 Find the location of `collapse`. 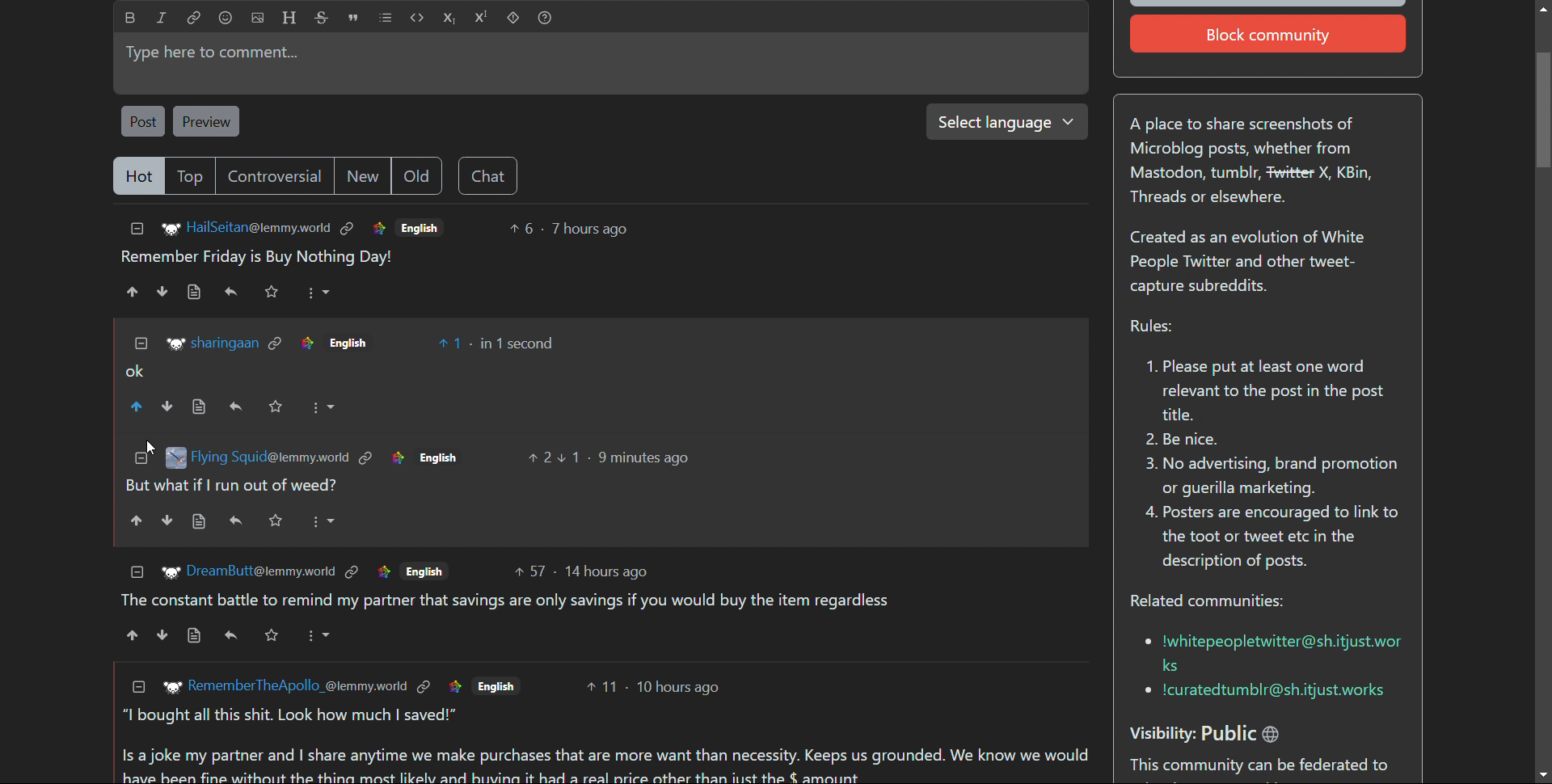

collapse is located at coordinates (137, 229).